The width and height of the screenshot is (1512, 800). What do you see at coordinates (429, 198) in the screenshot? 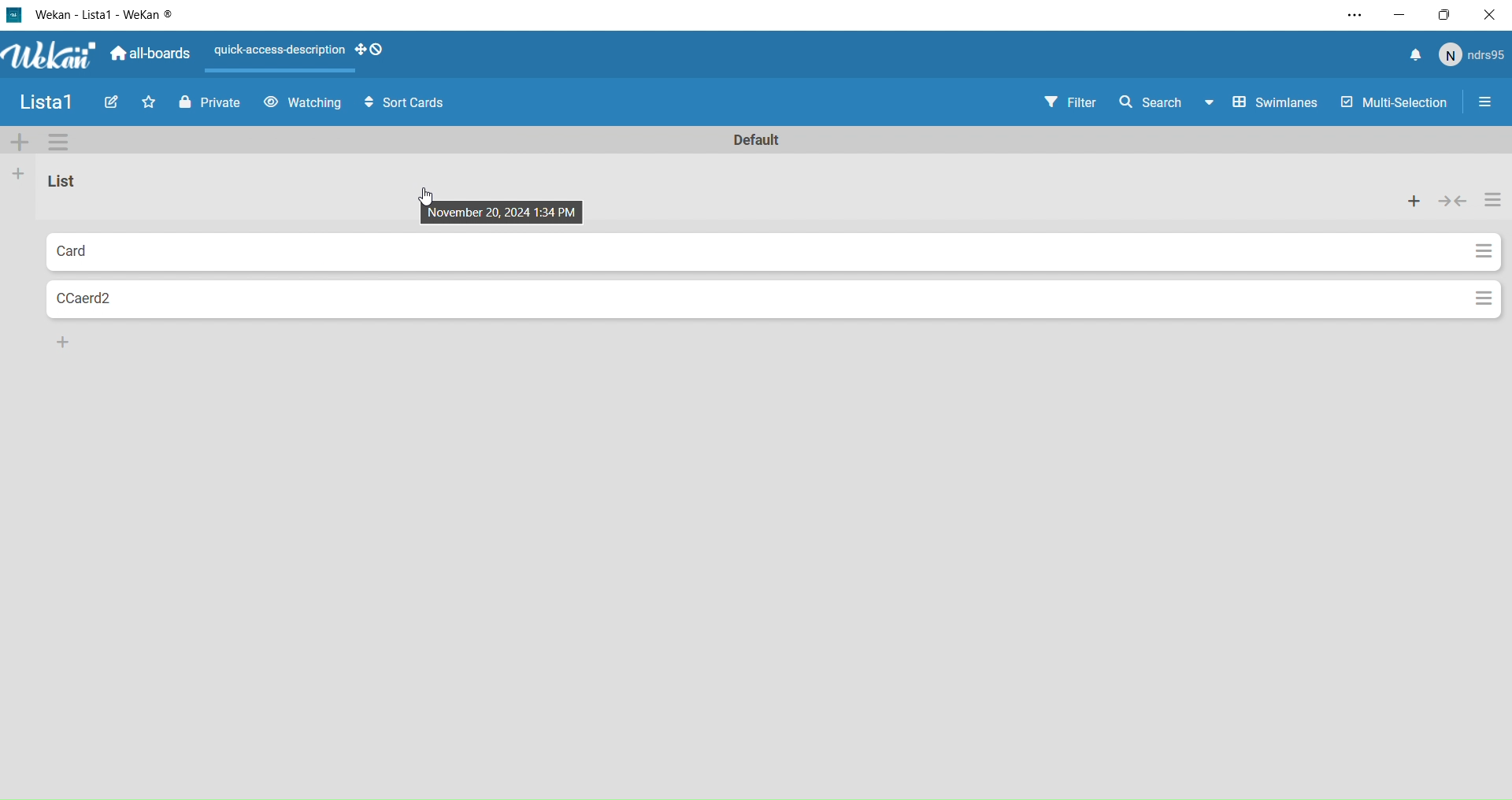
I see `cursor` at bounding box center [429, 198].